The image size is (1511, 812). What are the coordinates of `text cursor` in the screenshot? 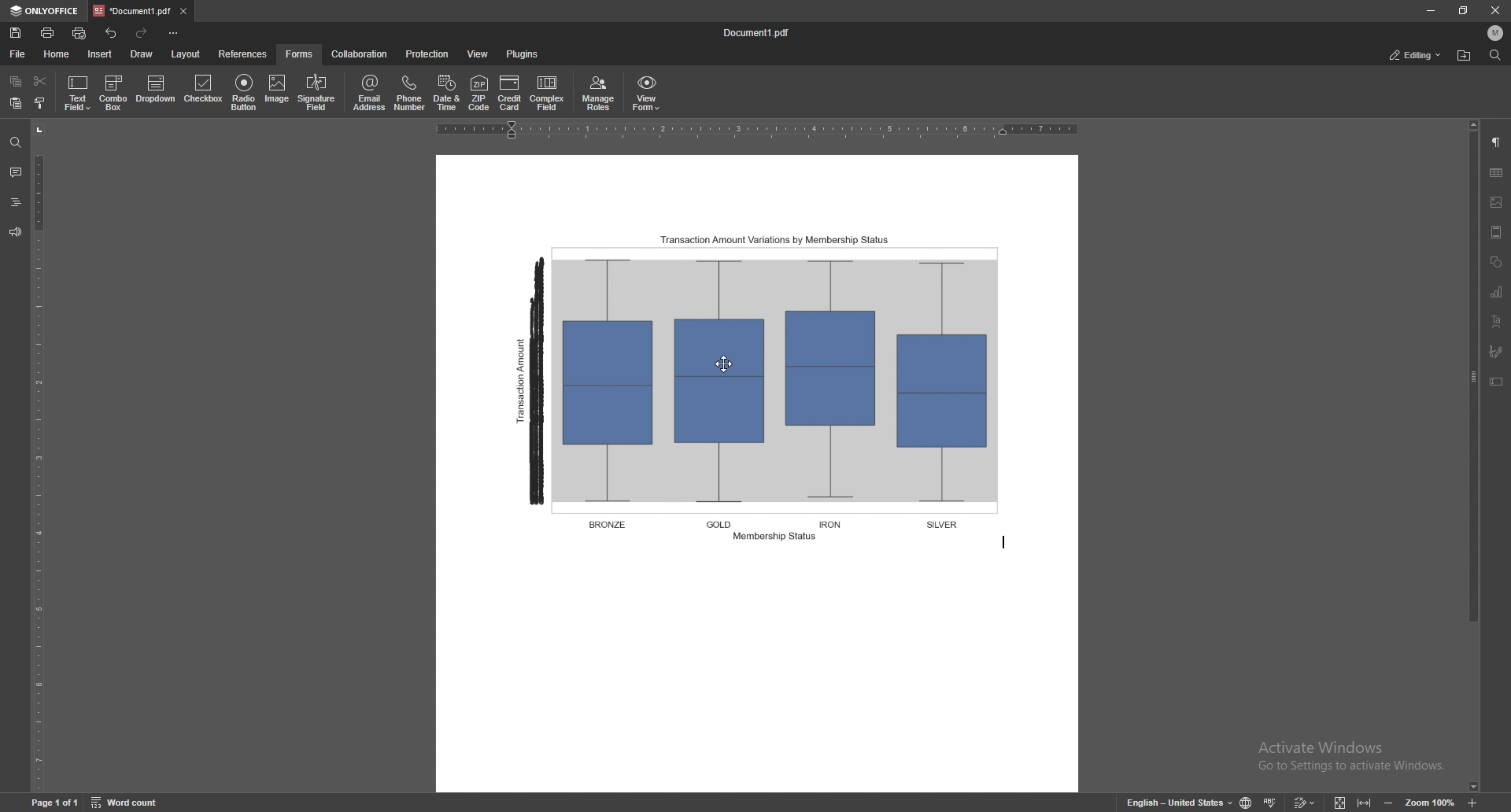 It's located at (1017, 558).